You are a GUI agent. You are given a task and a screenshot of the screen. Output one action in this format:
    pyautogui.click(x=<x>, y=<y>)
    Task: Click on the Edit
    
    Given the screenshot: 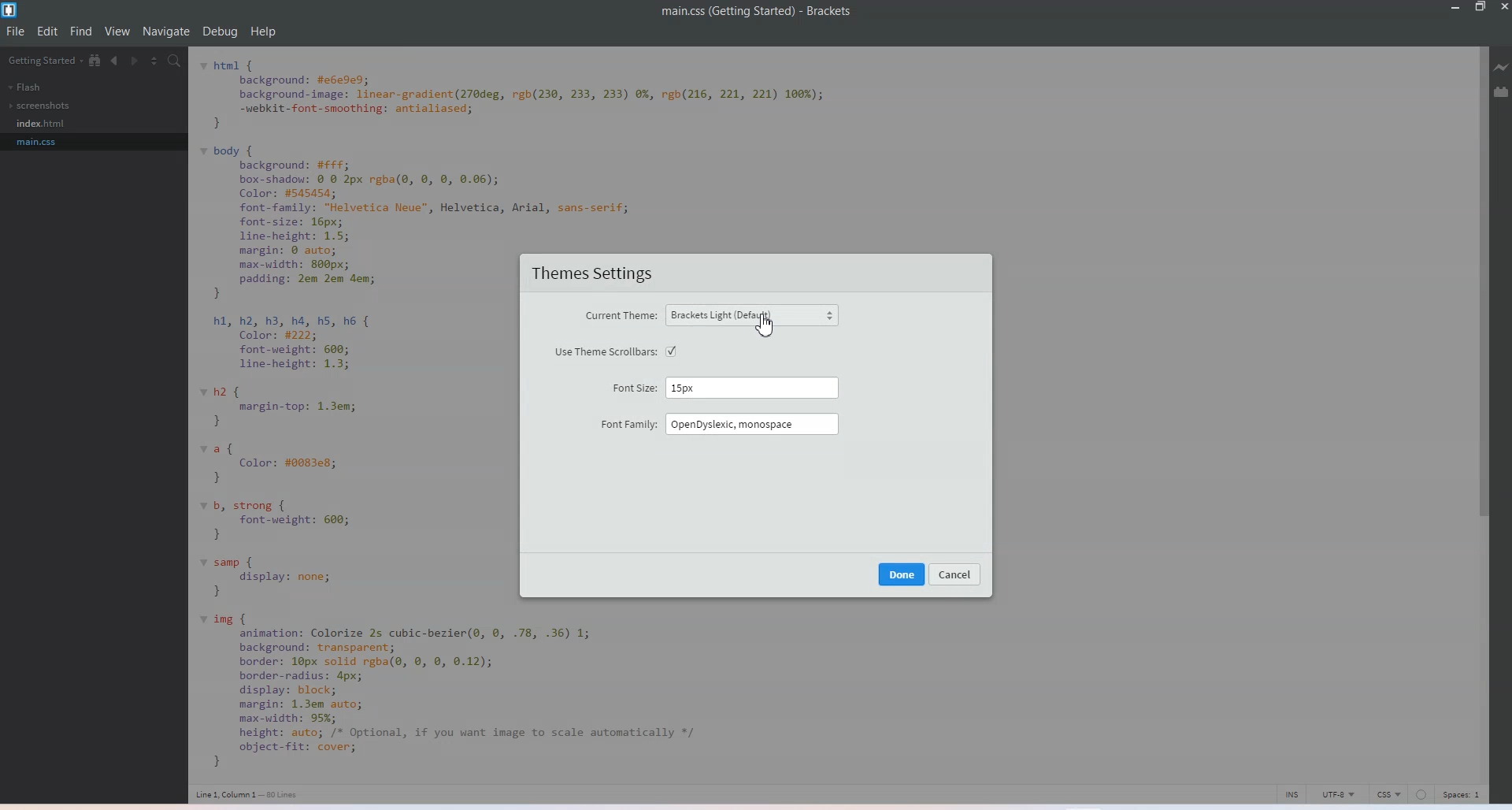 What is the action you would take?
    pyautogui.click(x=48, y=32)
    